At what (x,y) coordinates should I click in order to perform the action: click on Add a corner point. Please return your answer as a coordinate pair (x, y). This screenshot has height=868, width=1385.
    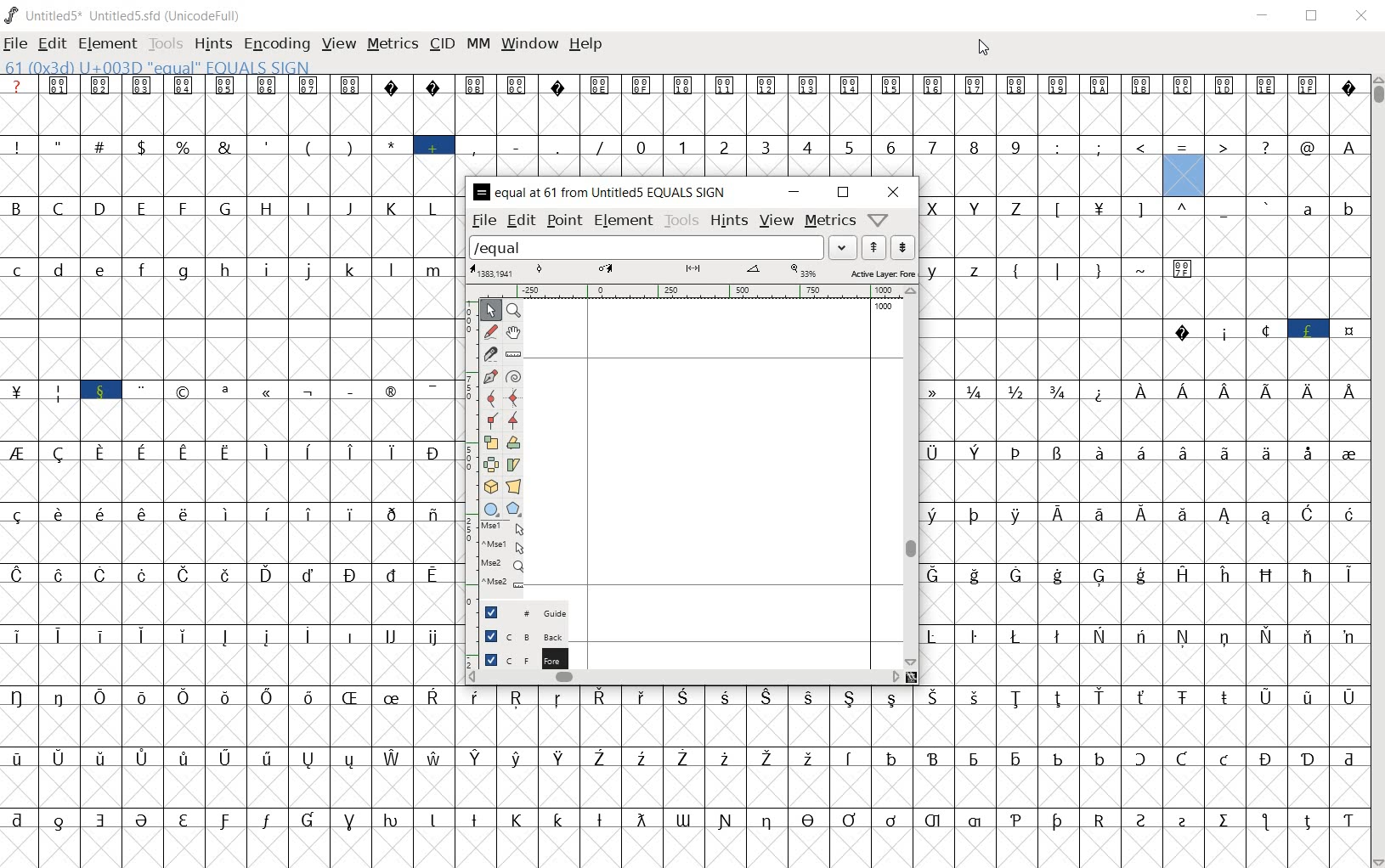
    Looking at the image, I should click on (490, 420).